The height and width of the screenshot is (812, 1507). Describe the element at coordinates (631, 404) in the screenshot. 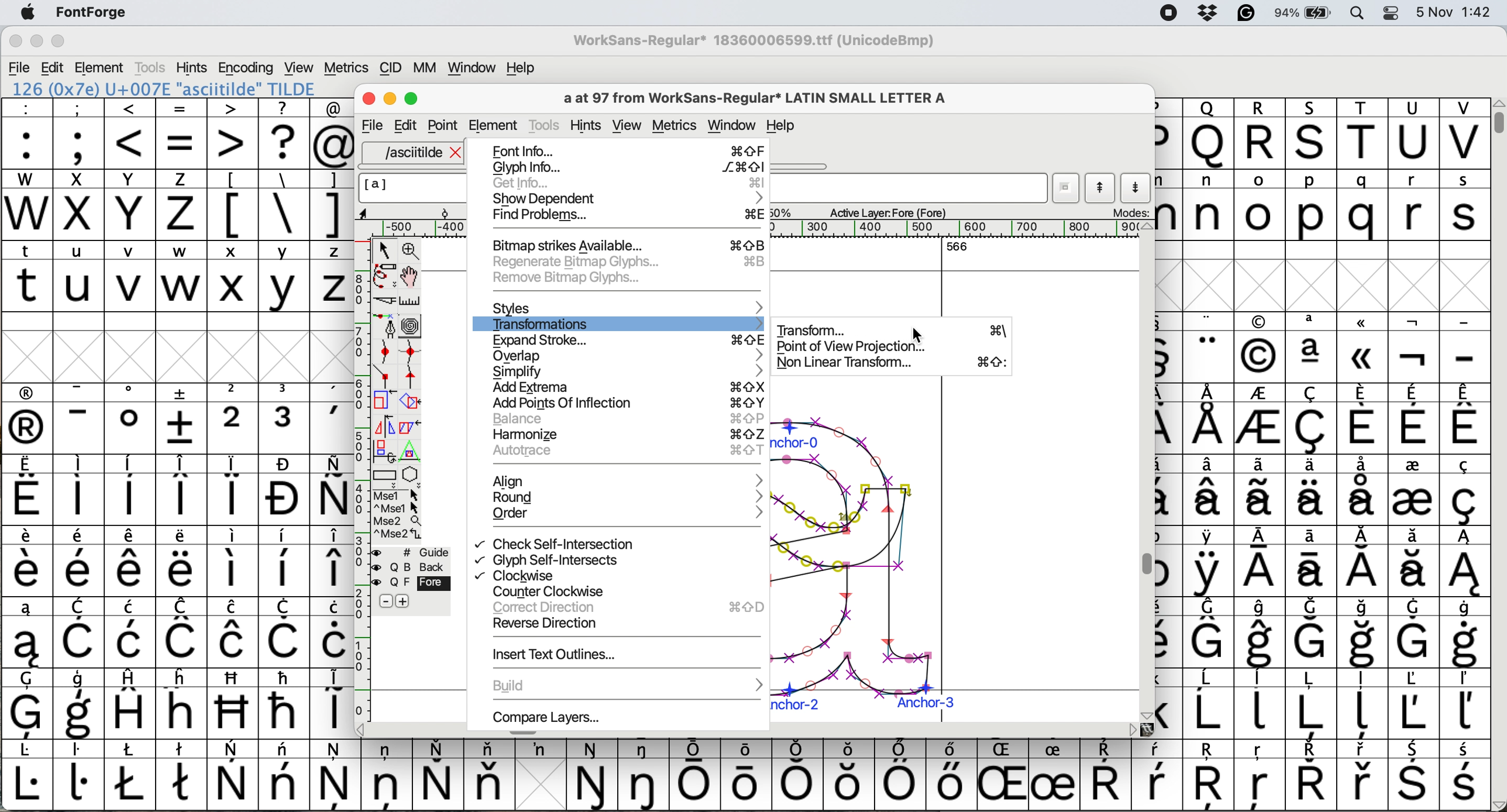

I see `add points of inflection` at that location.